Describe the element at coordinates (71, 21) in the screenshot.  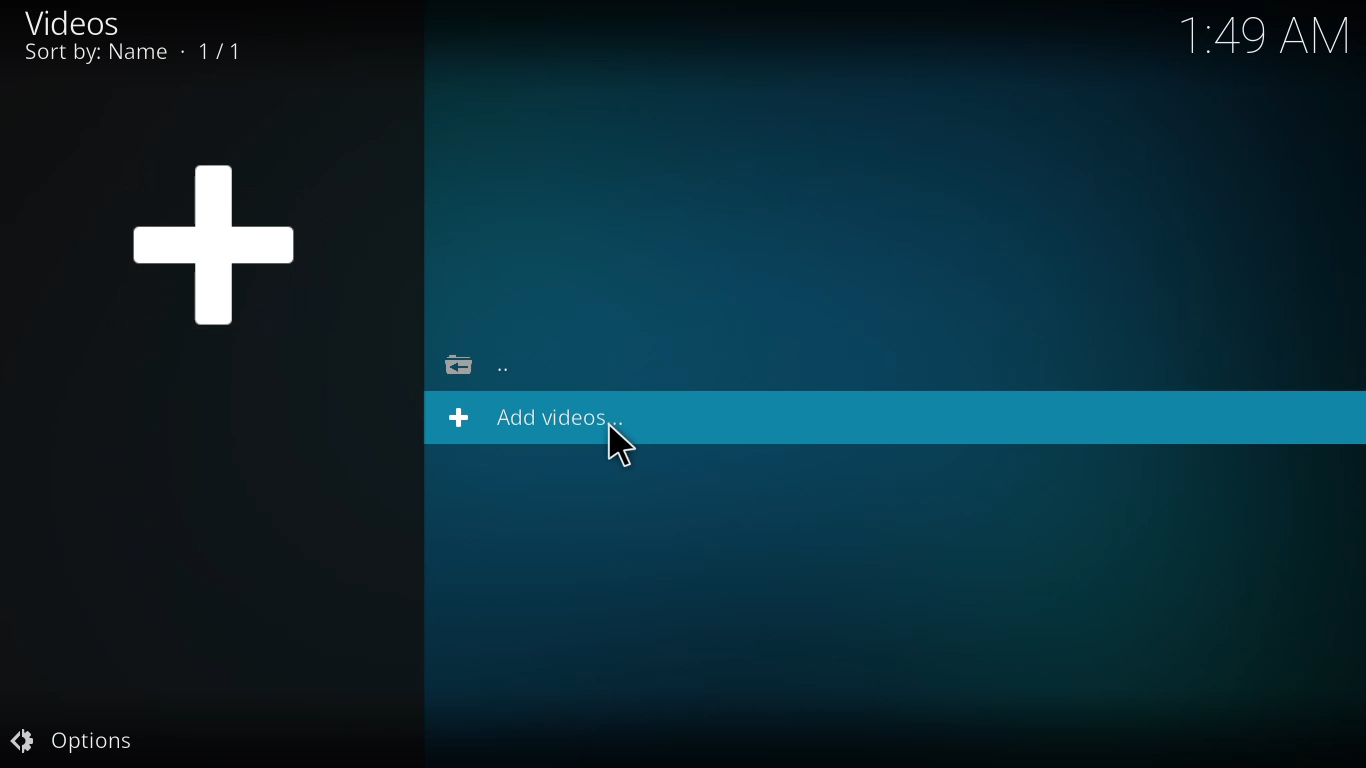
I see `videos` at that location.